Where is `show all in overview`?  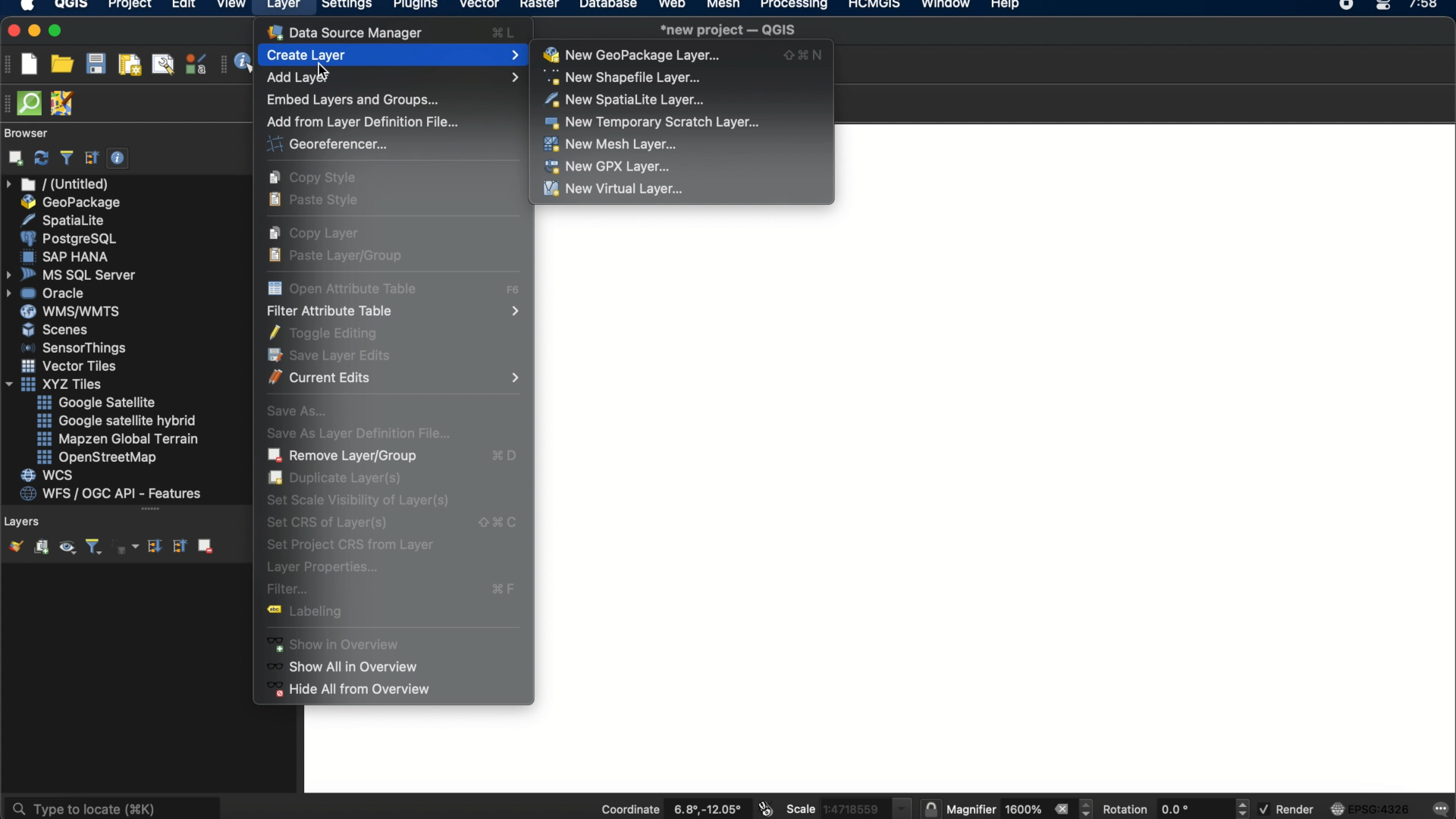
show all in overview is located at coordinates (348, 666).